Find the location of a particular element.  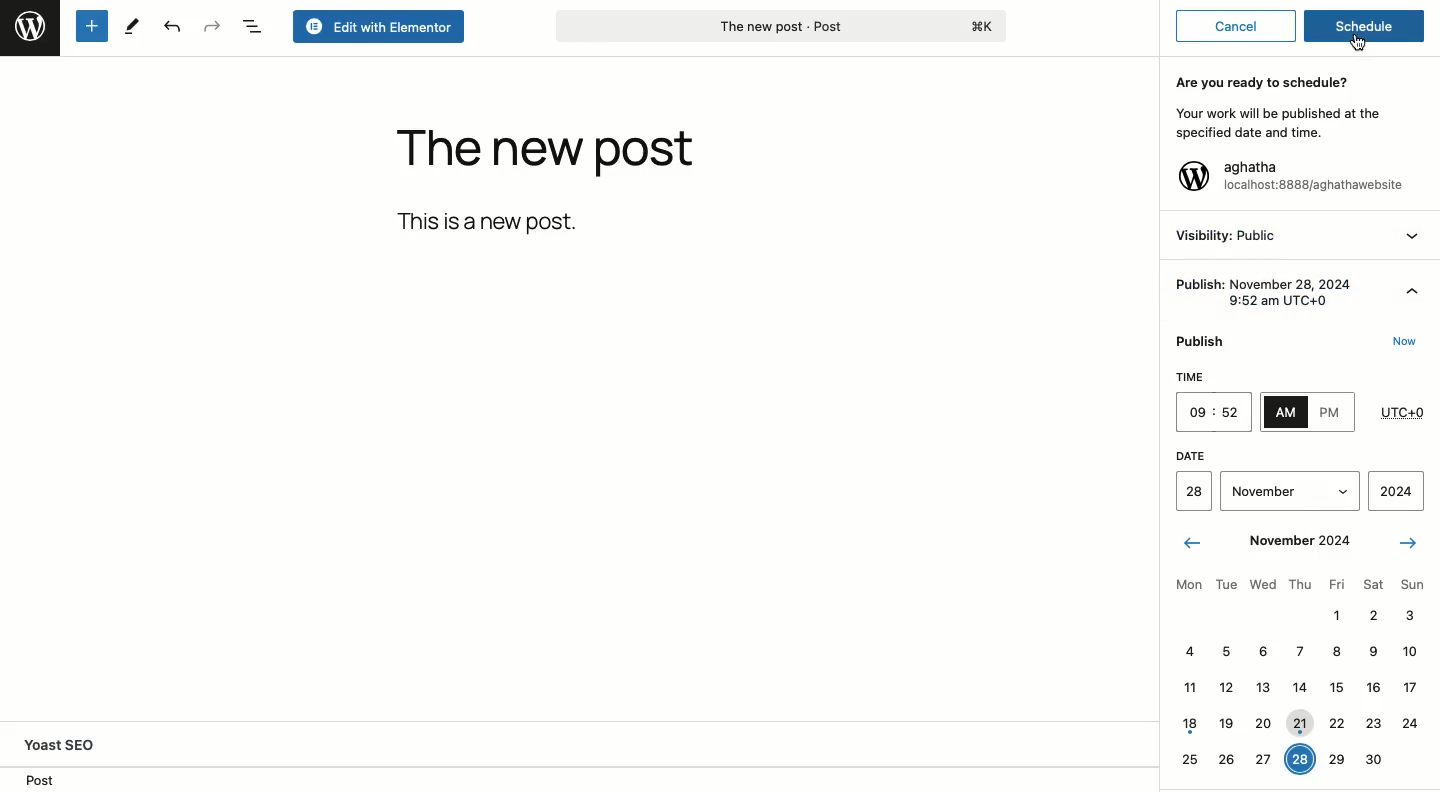

28 is located at coordinates (1300, 759).